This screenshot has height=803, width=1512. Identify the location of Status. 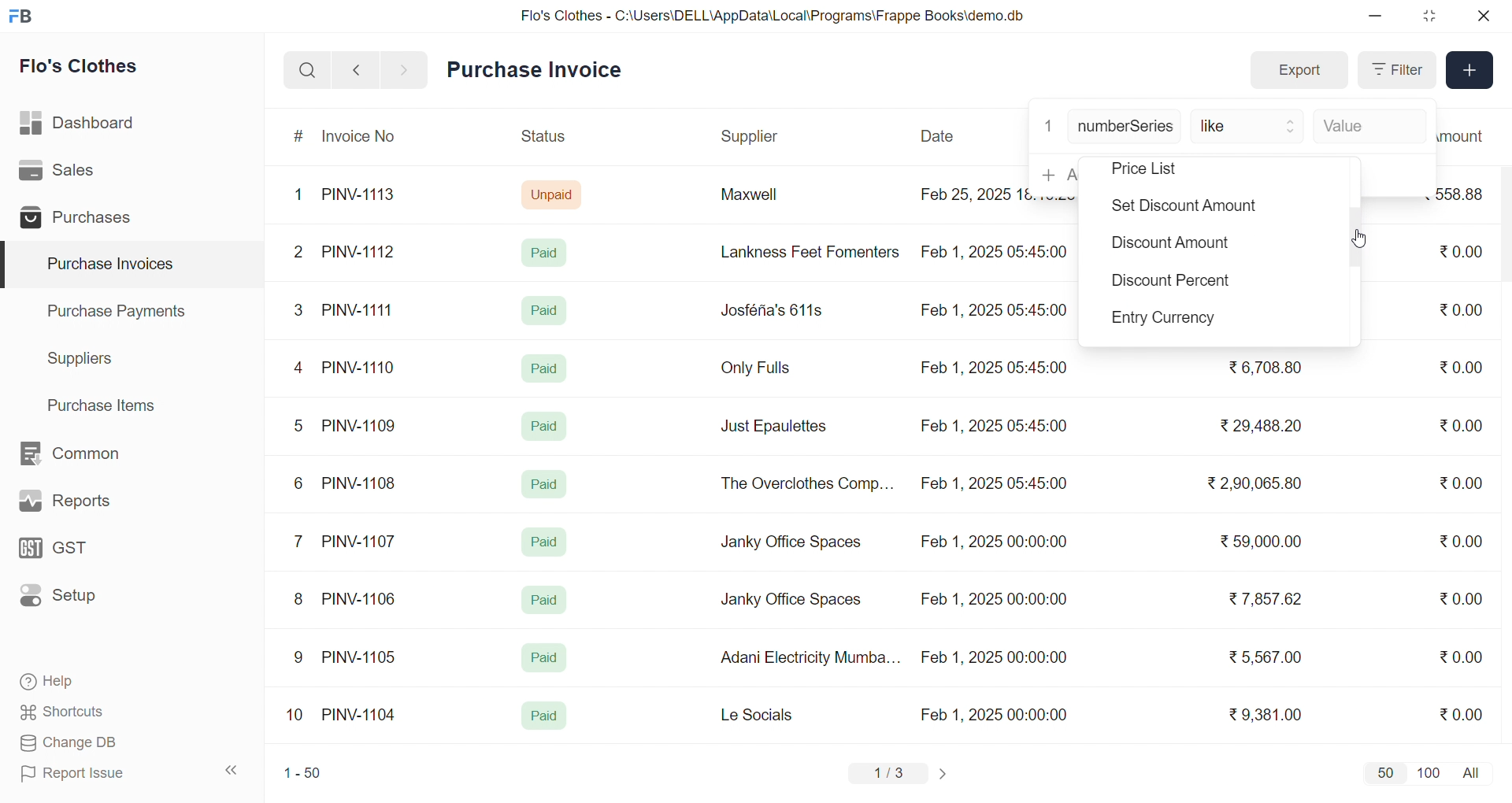
(542, 139).